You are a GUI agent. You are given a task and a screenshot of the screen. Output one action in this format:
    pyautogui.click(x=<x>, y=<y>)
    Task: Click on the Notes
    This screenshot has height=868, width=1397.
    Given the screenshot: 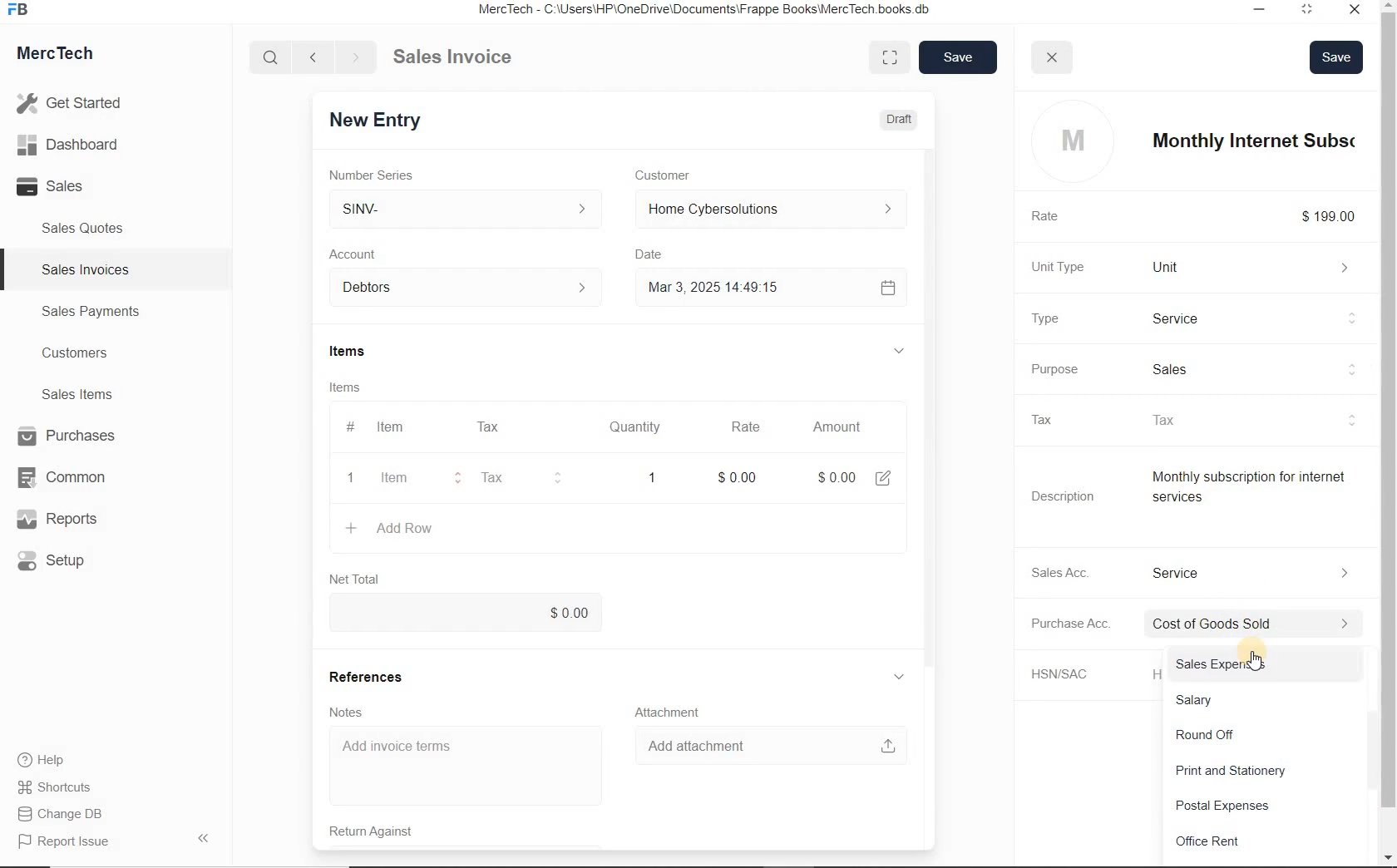 What is the action you would take?
    pyautogui.click(x=359, y=711)
    